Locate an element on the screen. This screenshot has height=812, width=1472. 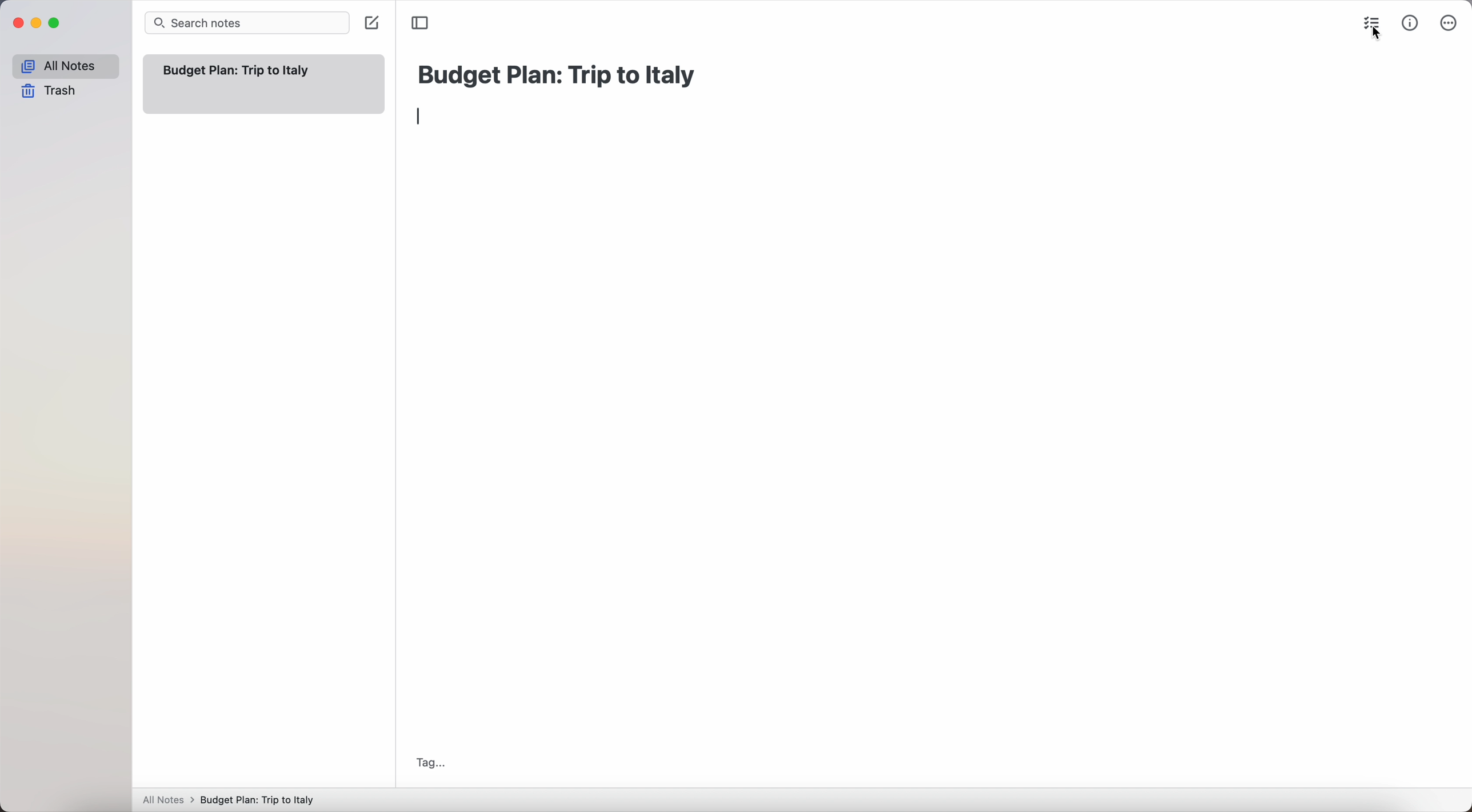
tag is located at coordinates (431, 763).